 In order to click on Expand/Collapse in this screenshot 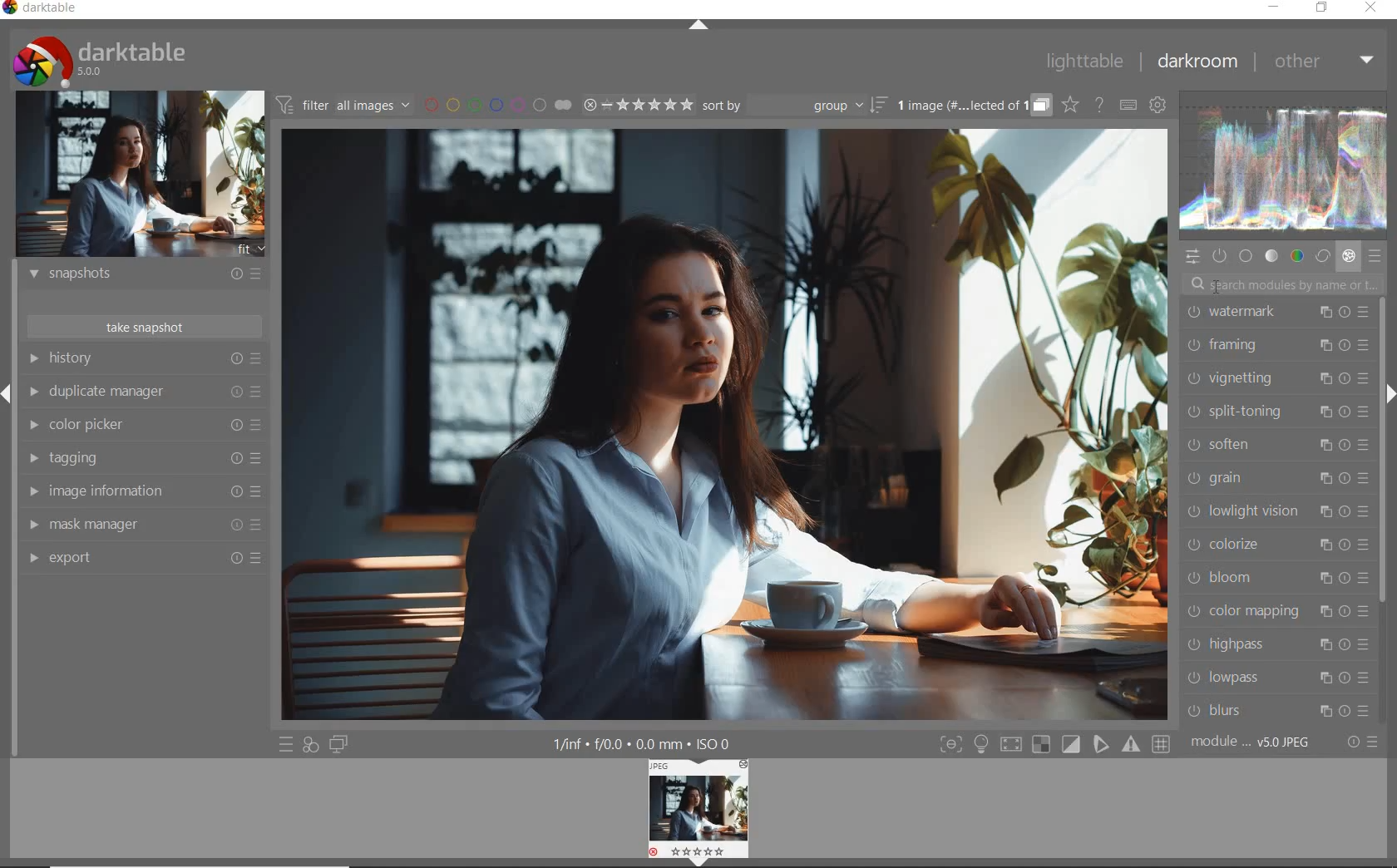, I will do `click(1389, 394)`.